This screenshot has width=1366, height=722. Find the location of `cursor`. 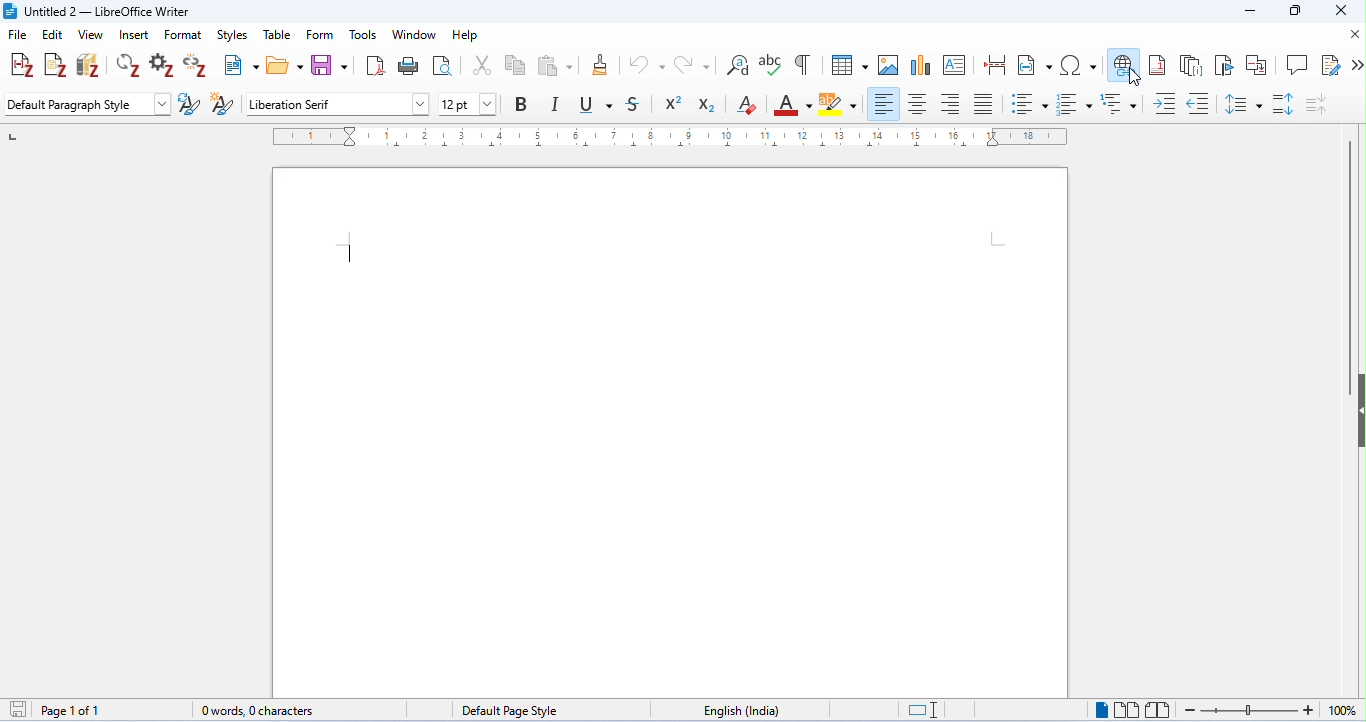

cursor is located at coordinates (1134, 77).